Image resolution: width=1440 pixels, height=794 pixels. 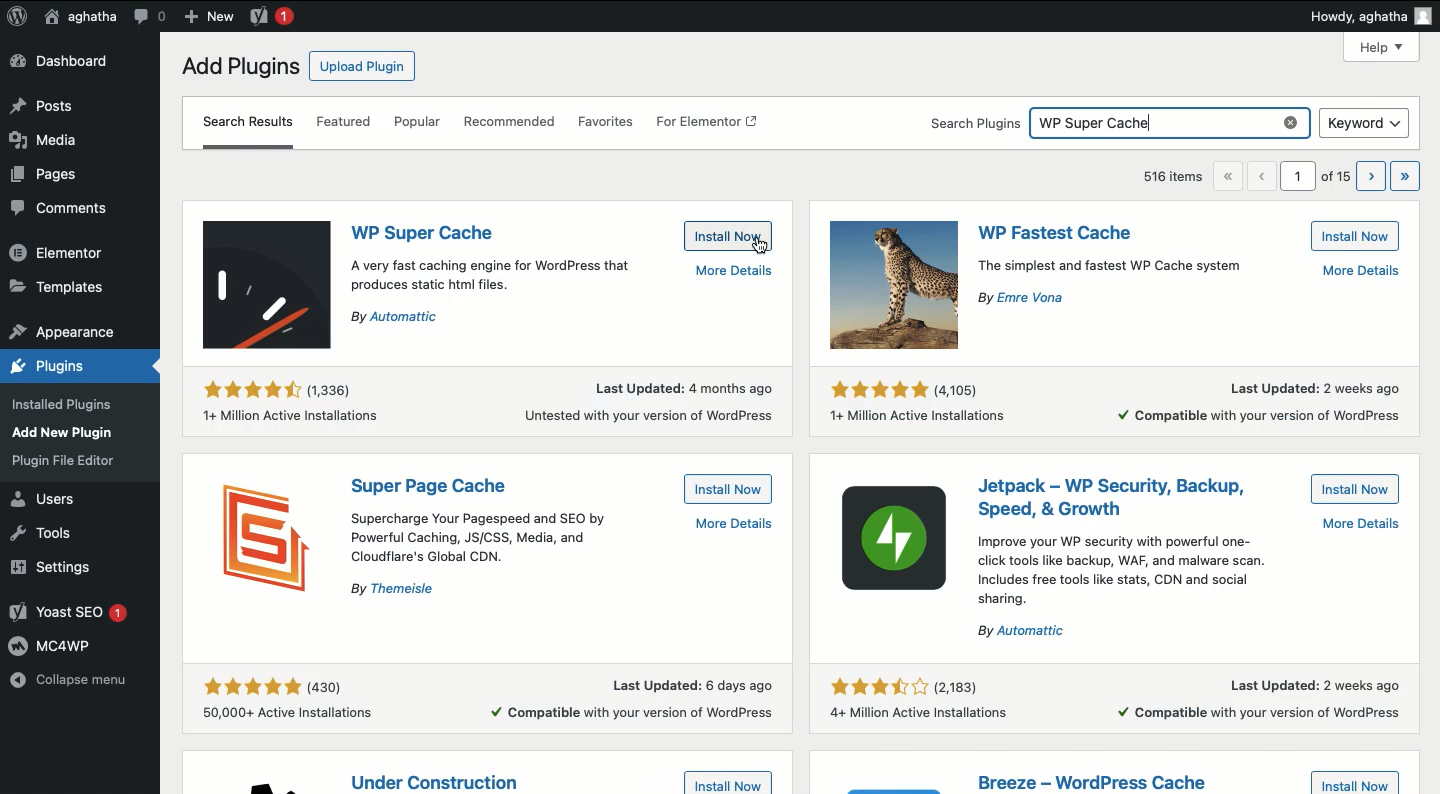 I want to click on Popular, so click(x=416, y=120).